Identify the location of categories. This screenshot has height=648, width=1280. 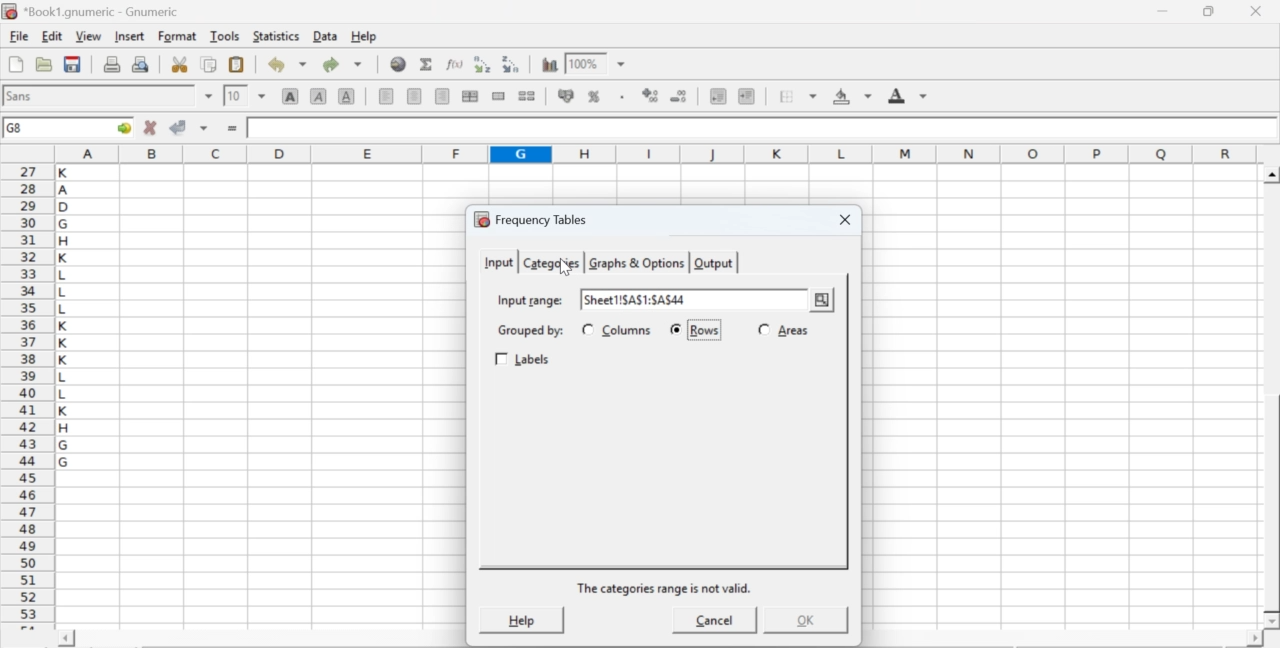
(550, 263).